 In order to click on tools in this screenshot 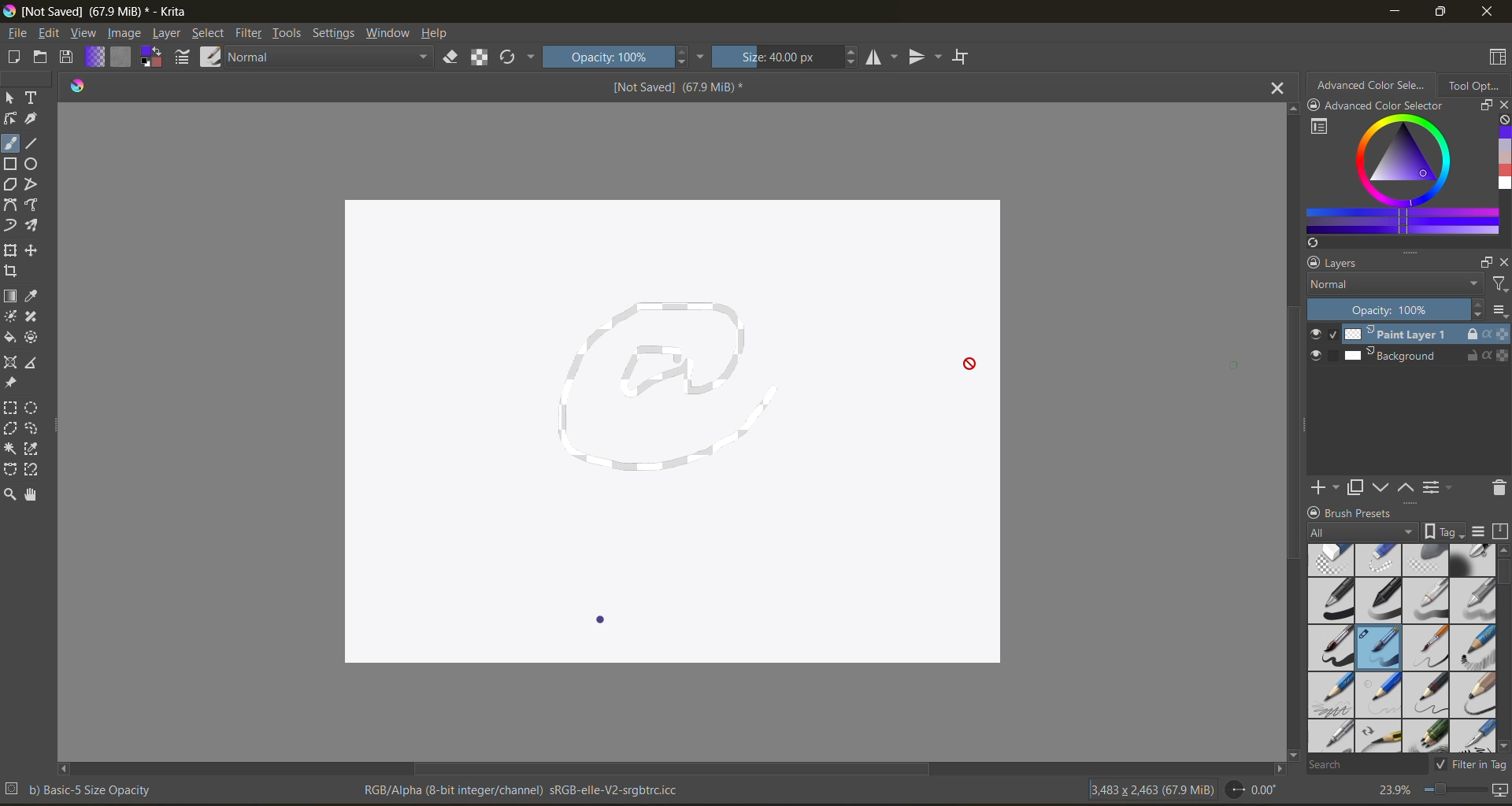, I will do `click(287, 33)`.